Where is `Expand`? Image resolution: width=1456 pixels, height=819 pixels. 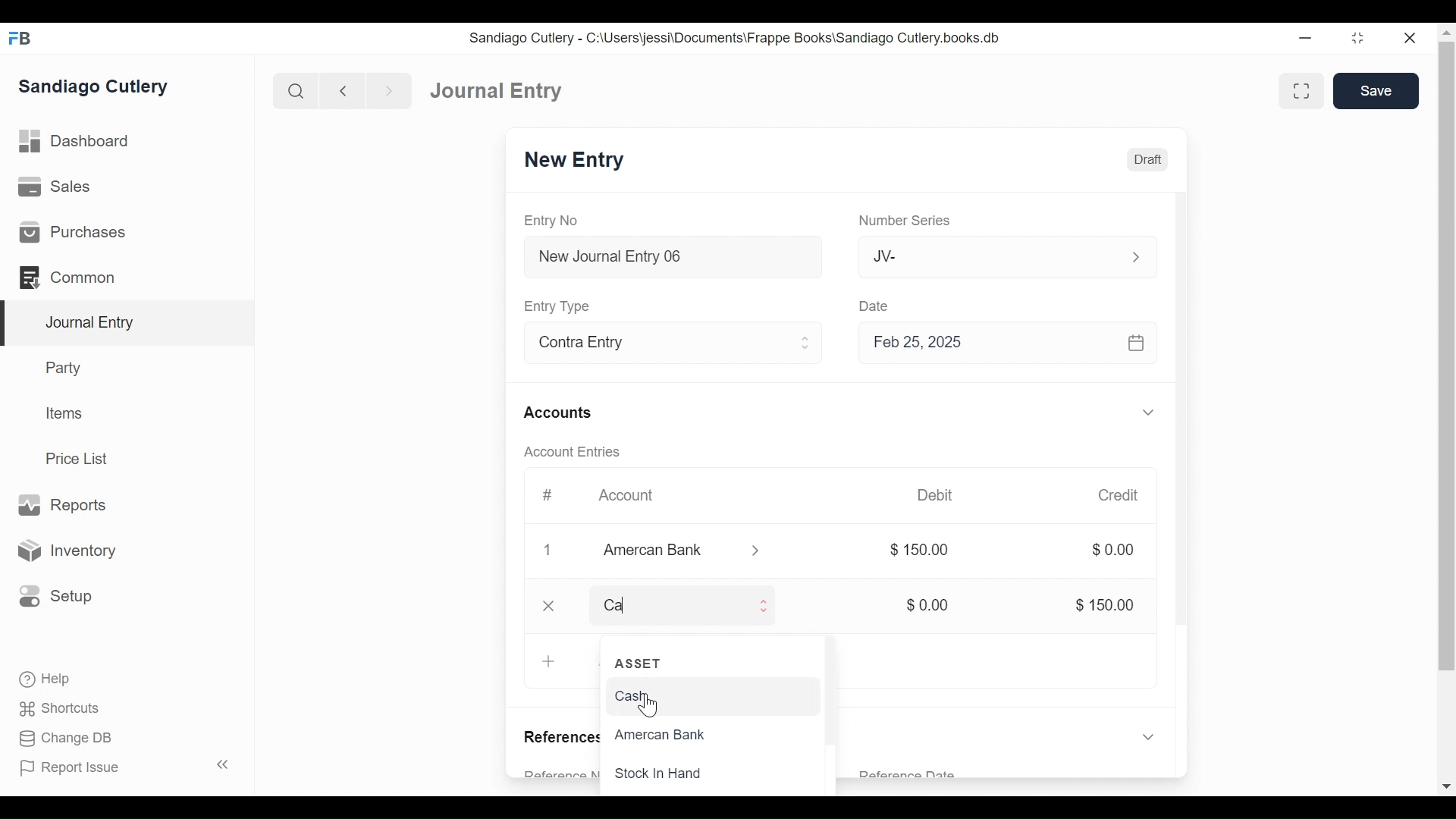 Expand is located at coordinates (767, 551).